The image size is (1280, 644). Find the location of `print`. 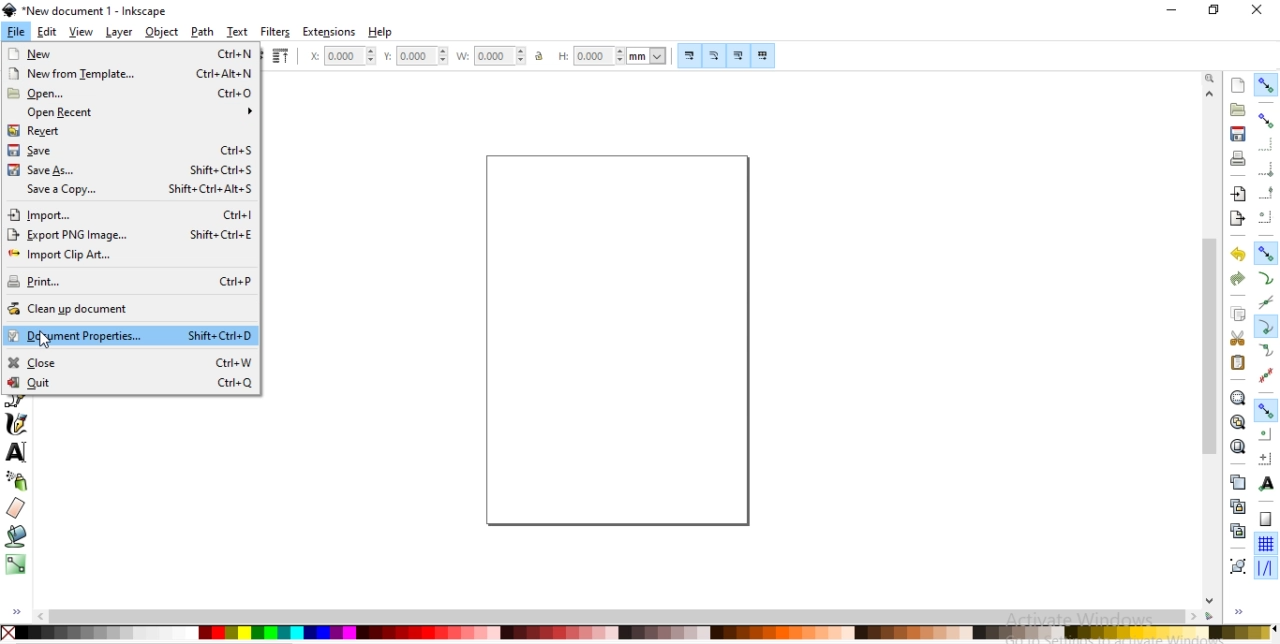

print is located at coordinates (132, 282).